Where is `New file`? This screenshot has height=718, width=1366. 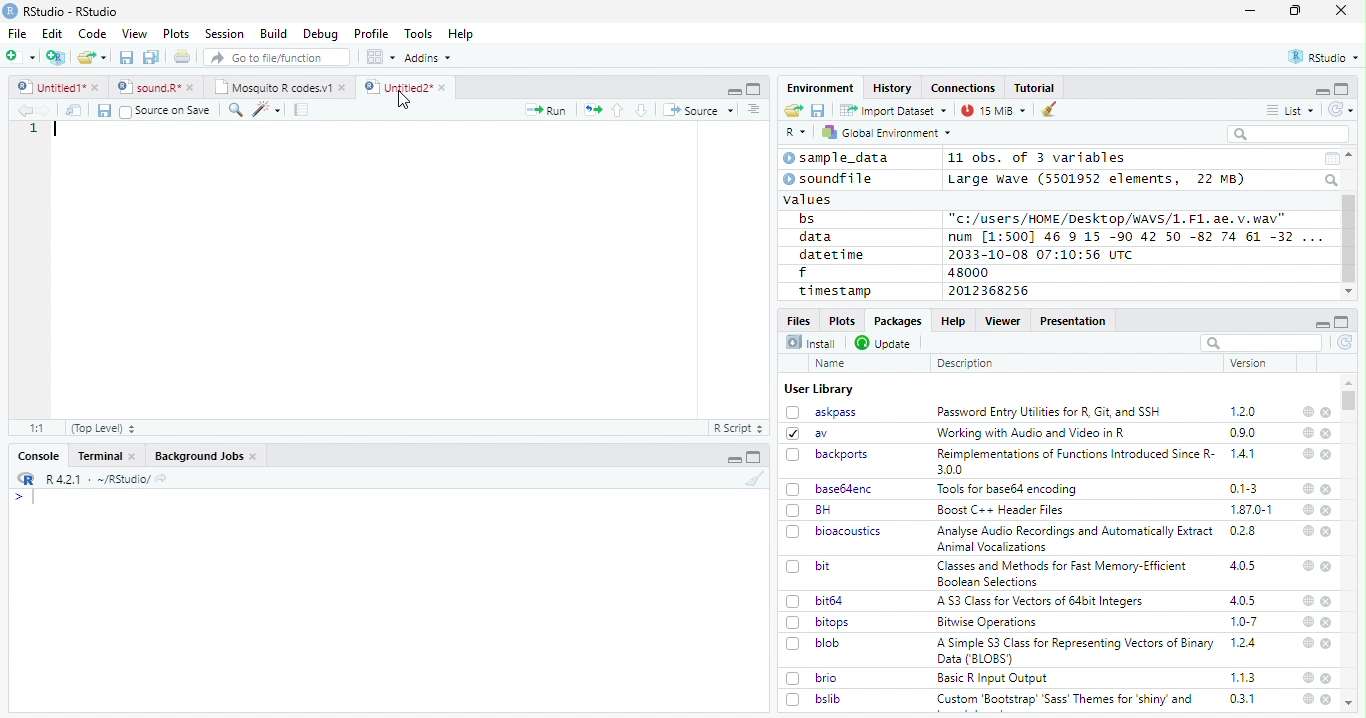
New file is located at coordinates (22, 57).